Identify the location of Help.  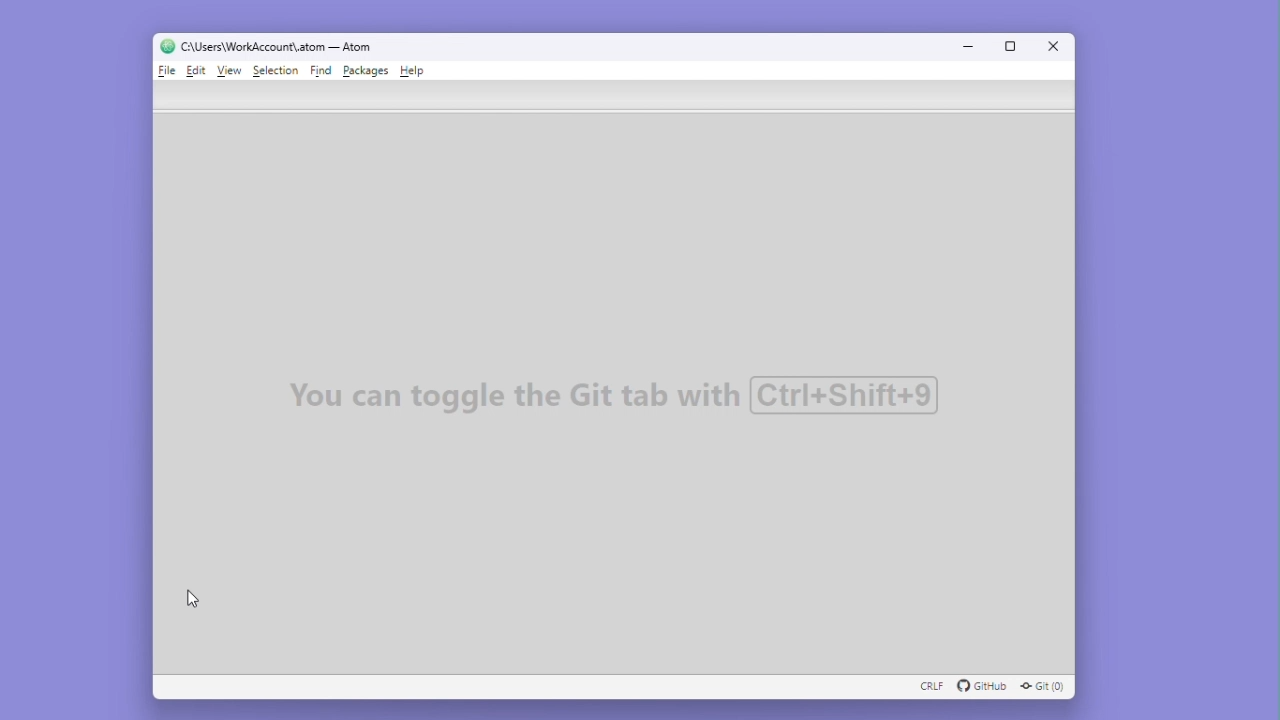
(411, 70).